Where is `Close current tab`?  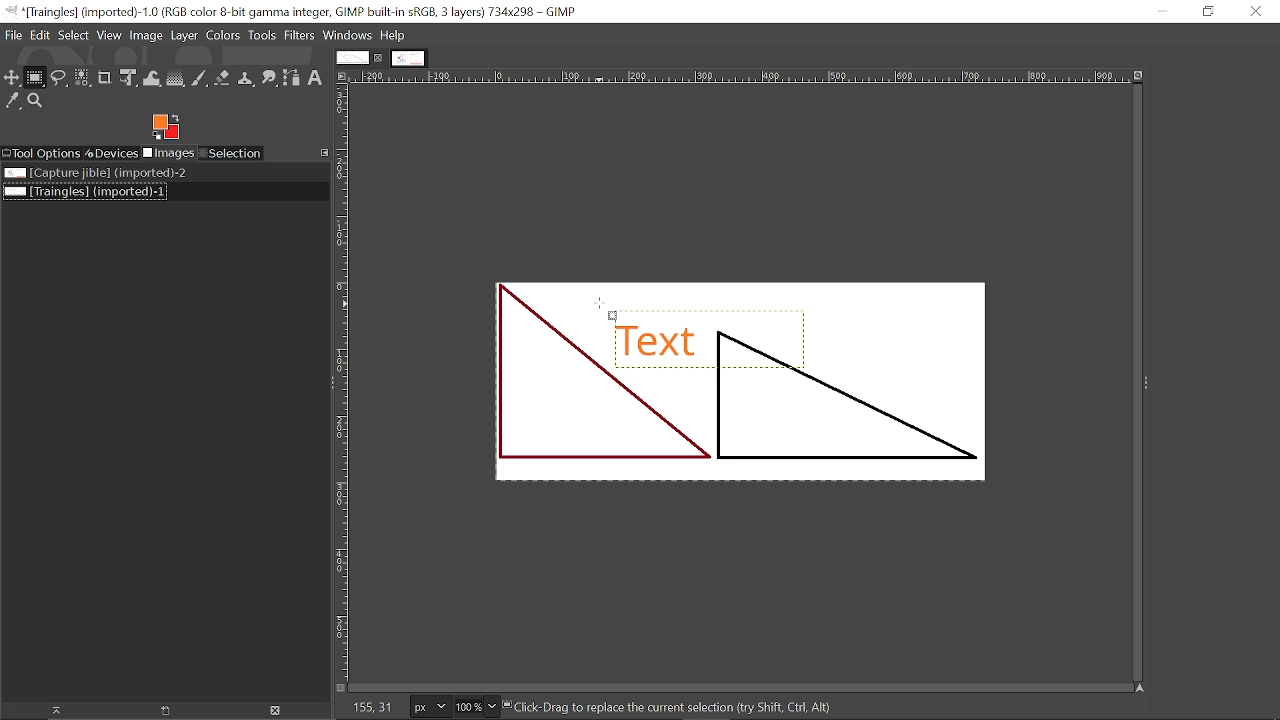 Close current tab is located at coordinates (379, 57).